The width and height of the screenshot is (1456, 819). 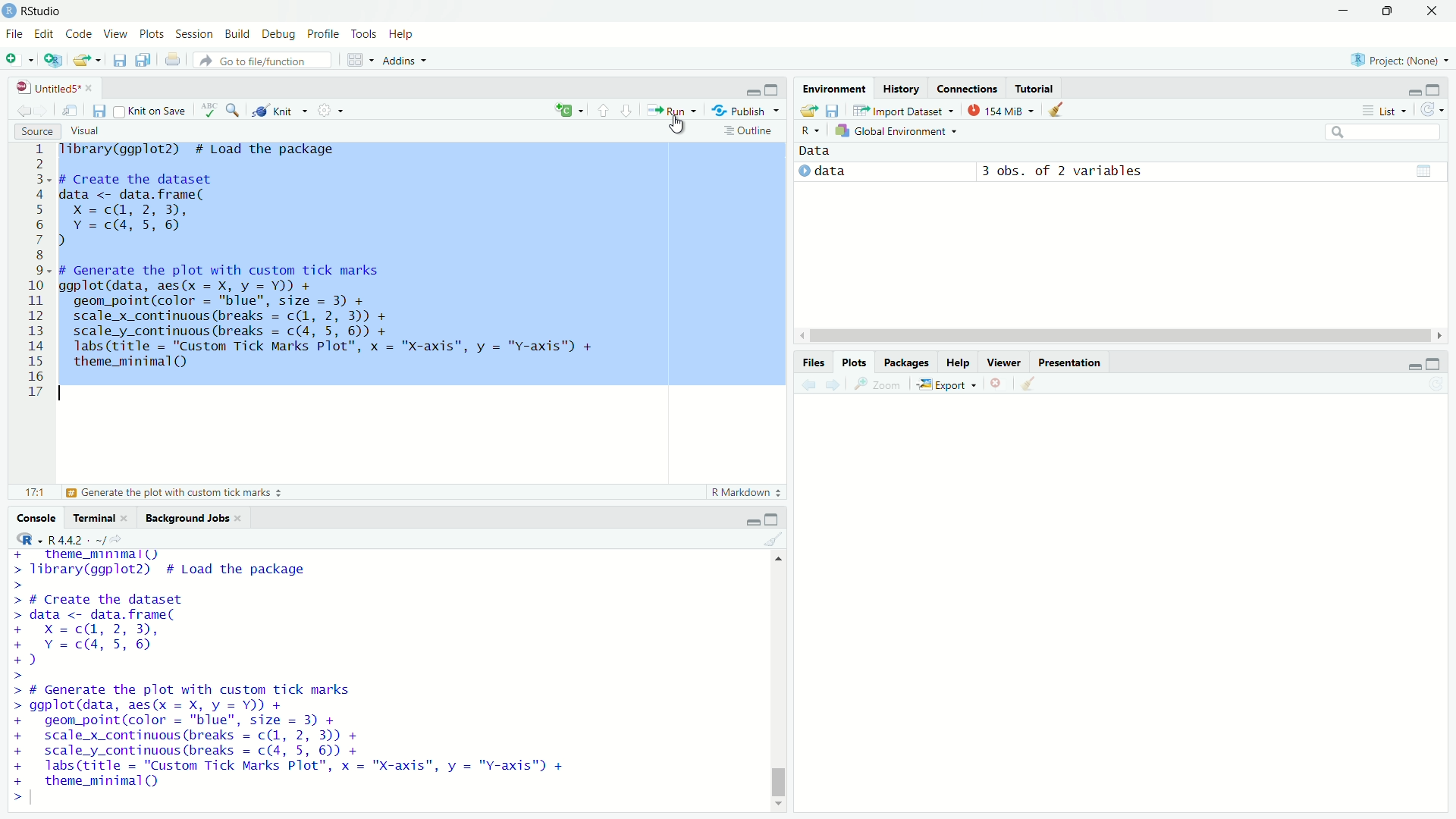 I want to click on save workspace as, so click(x=836, y=111).